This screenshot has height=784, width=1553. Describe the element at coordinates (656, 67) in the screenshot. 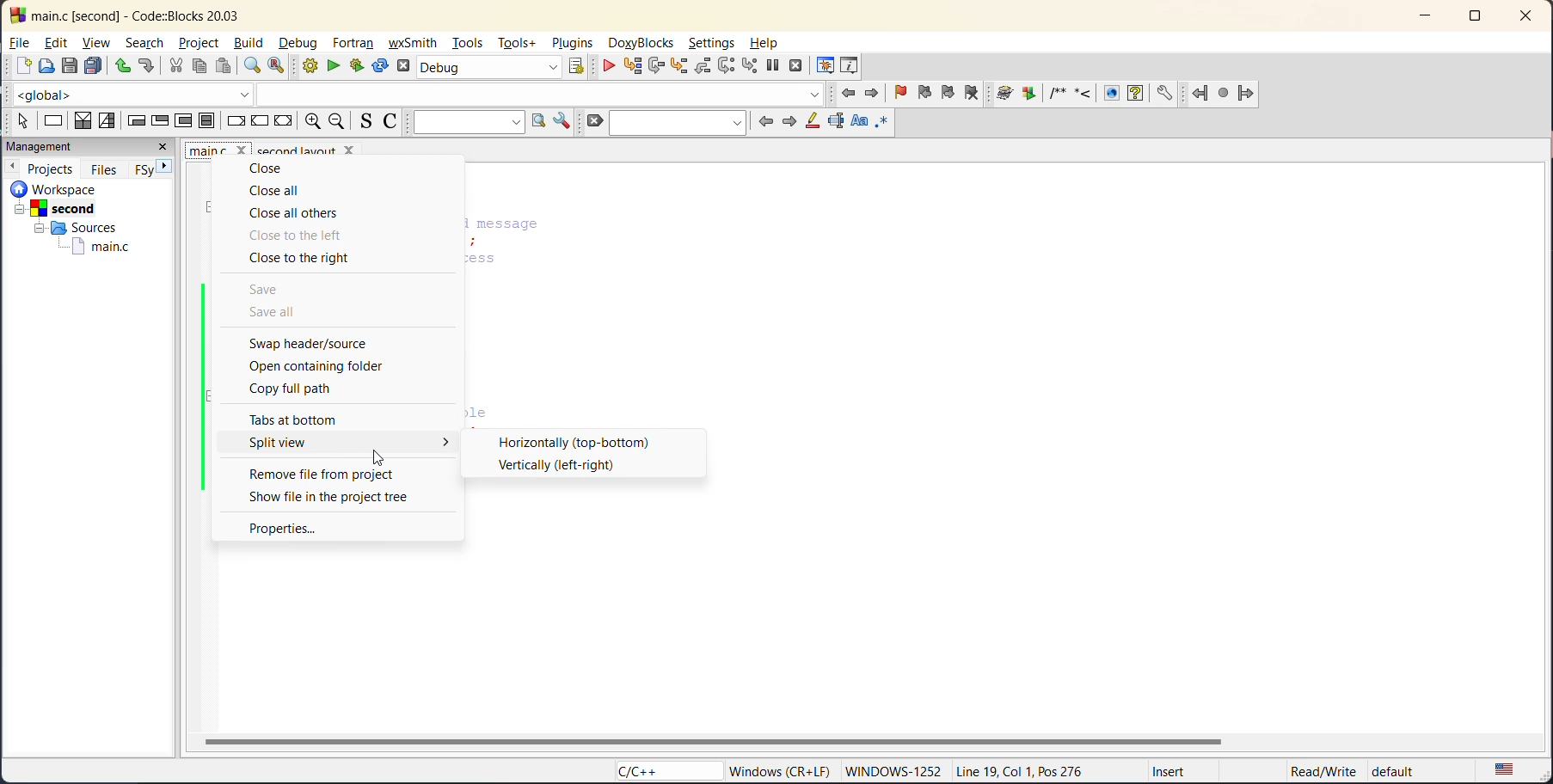

I see `next line` at that location.